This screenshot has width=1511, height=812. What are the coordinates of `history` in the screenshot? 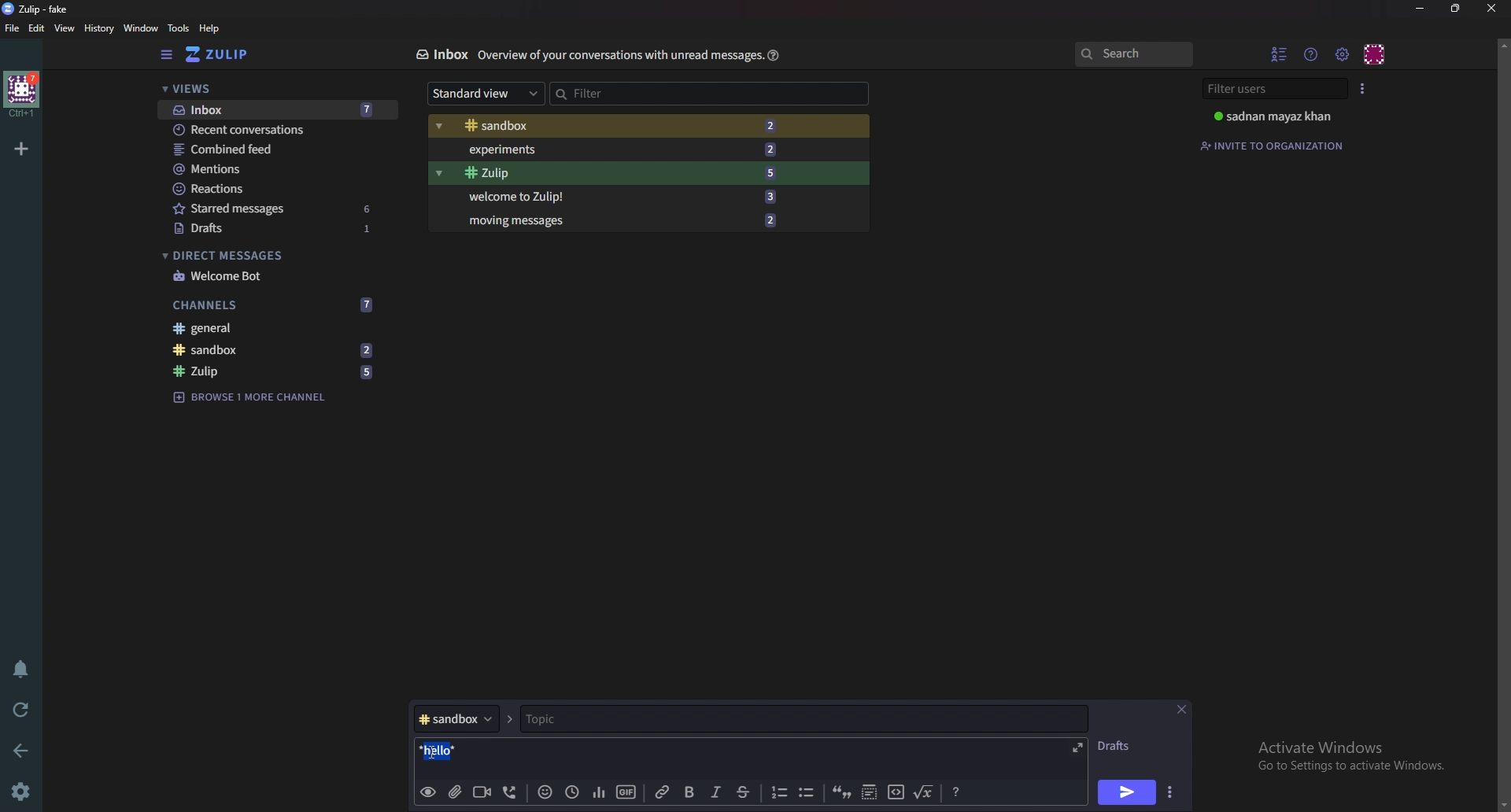 It's located at (98, 28).